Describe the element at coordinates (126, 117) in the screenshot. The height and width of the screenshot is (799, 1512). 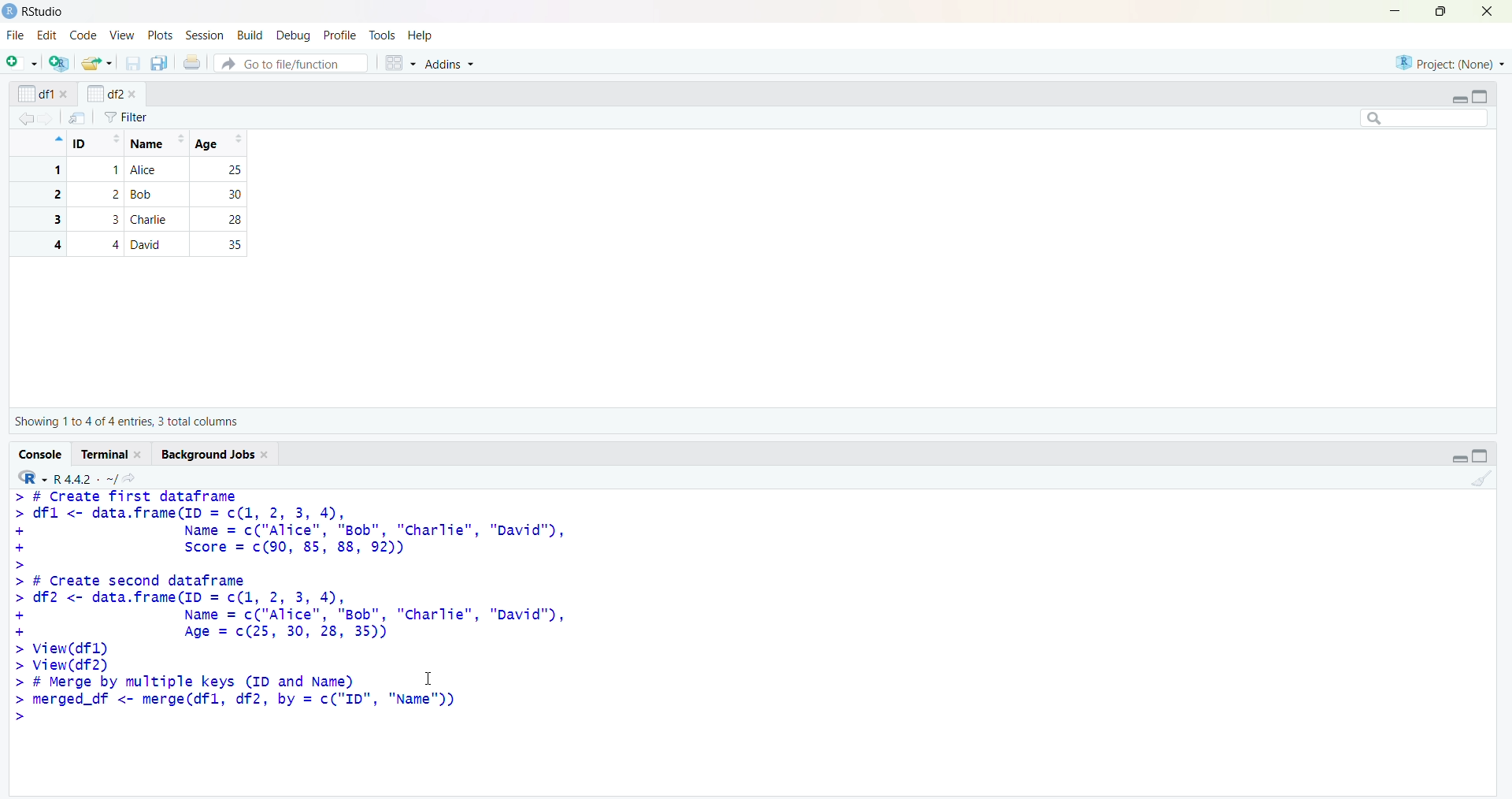
I see `Filter` at that location.